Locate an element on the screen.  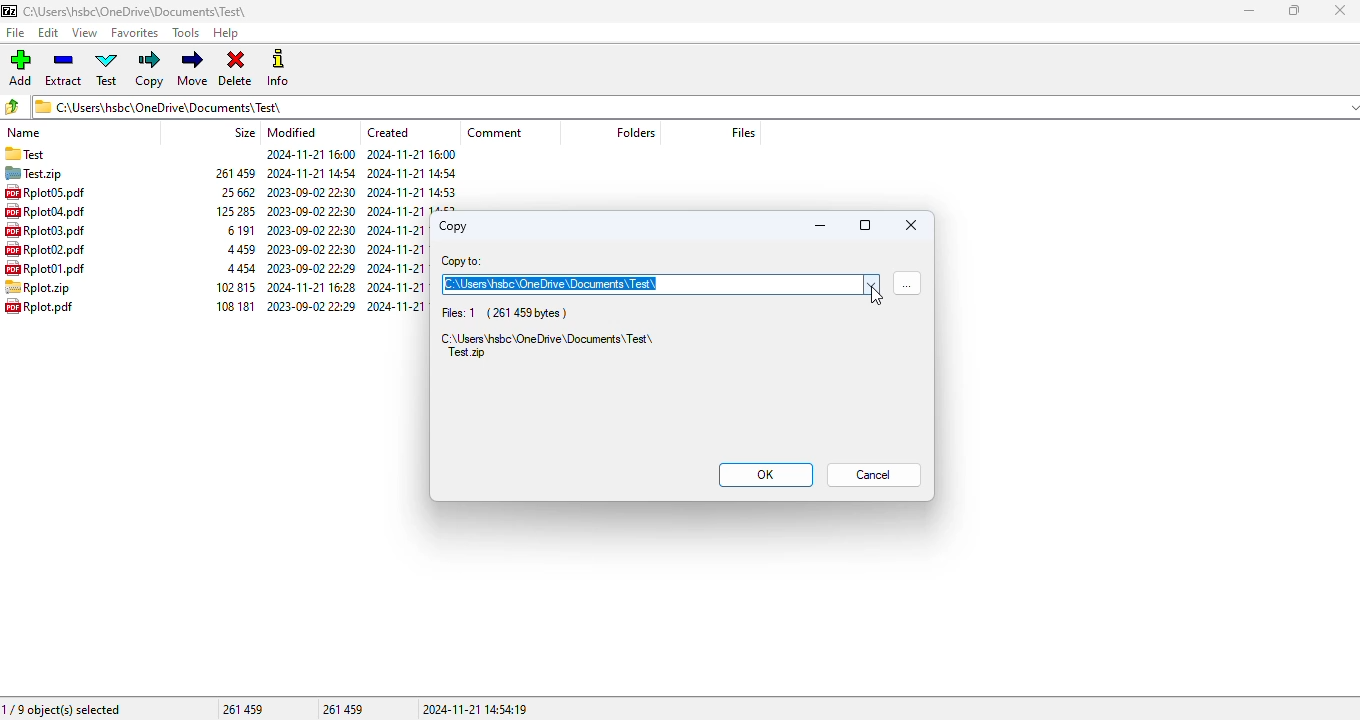
modified is located at coordinates (293, 133).